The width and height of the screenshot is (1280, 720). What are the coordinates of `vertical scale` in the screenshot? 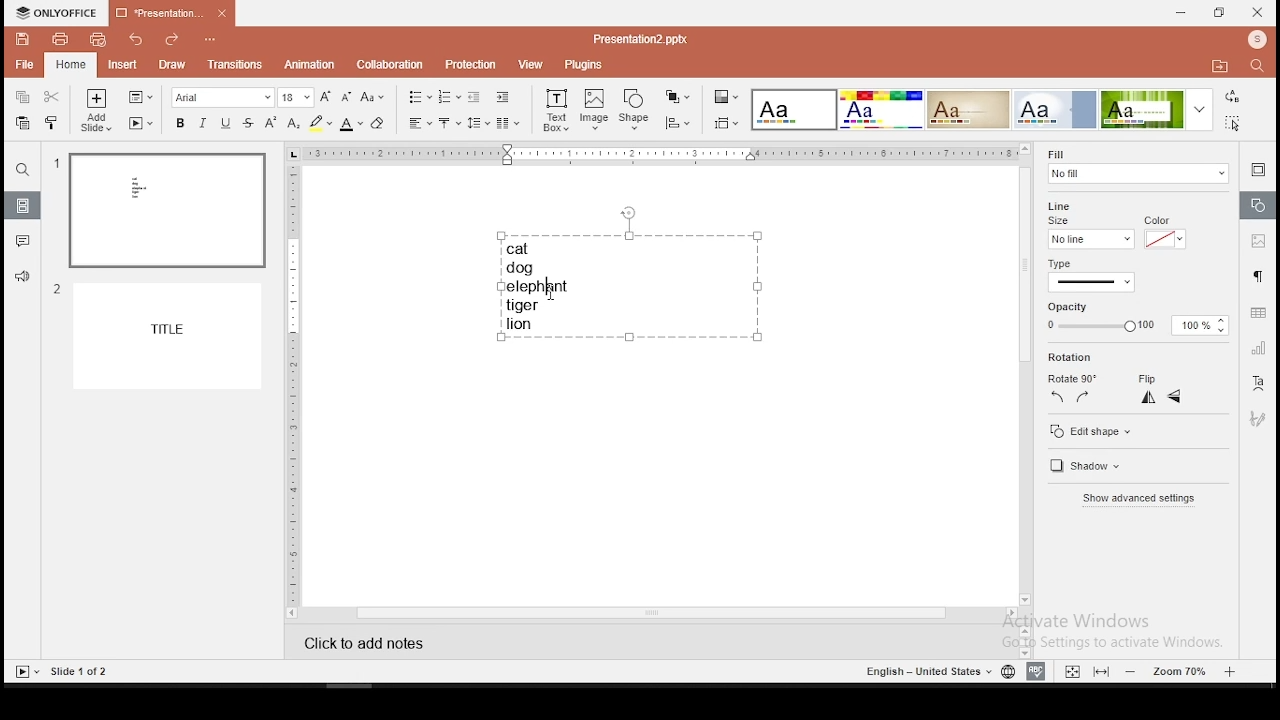 It's located at (293, 383).